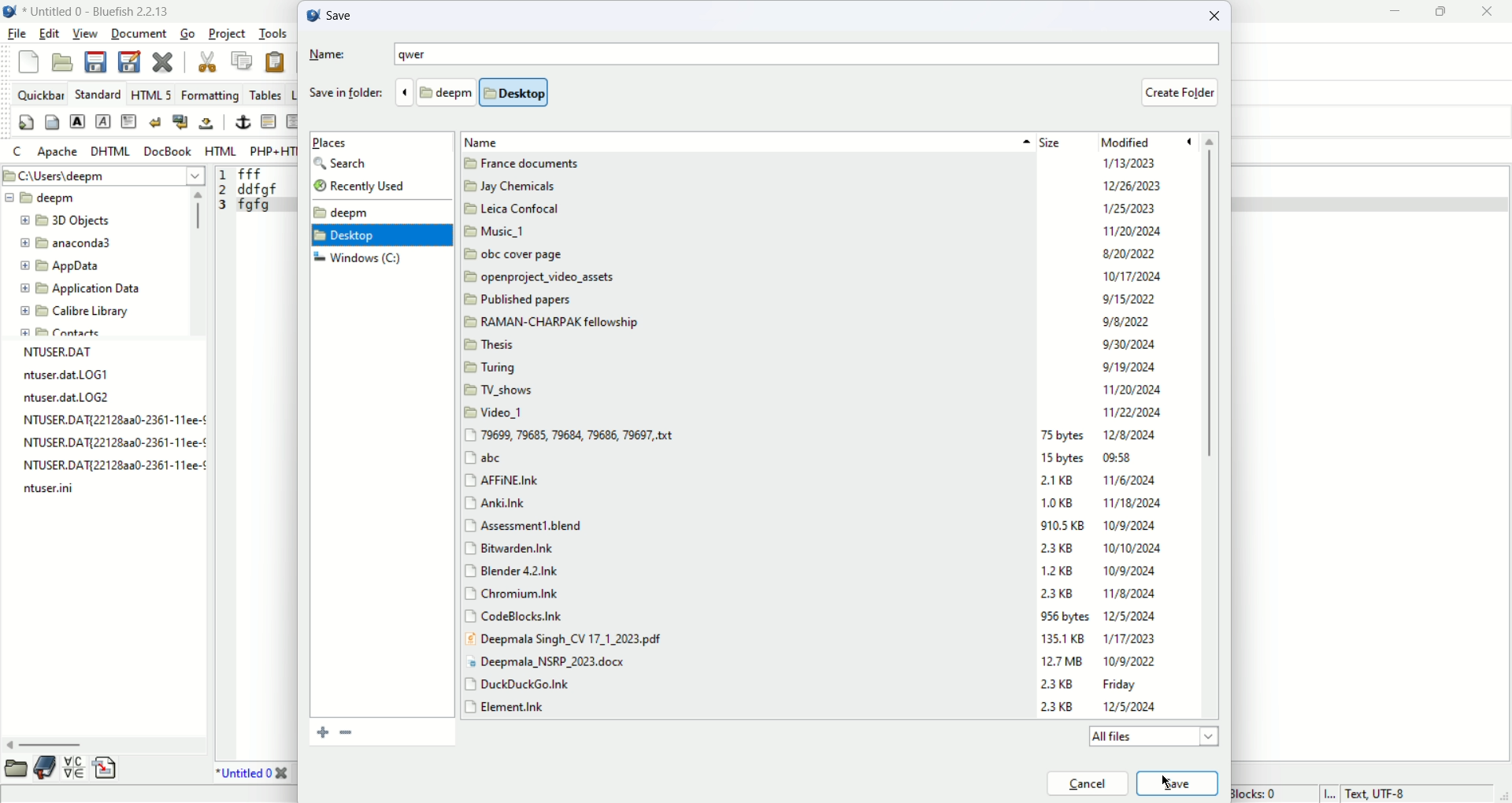 The width and height of the screenshot is (1512, 803). I want to click on file name, so click(106, 420).